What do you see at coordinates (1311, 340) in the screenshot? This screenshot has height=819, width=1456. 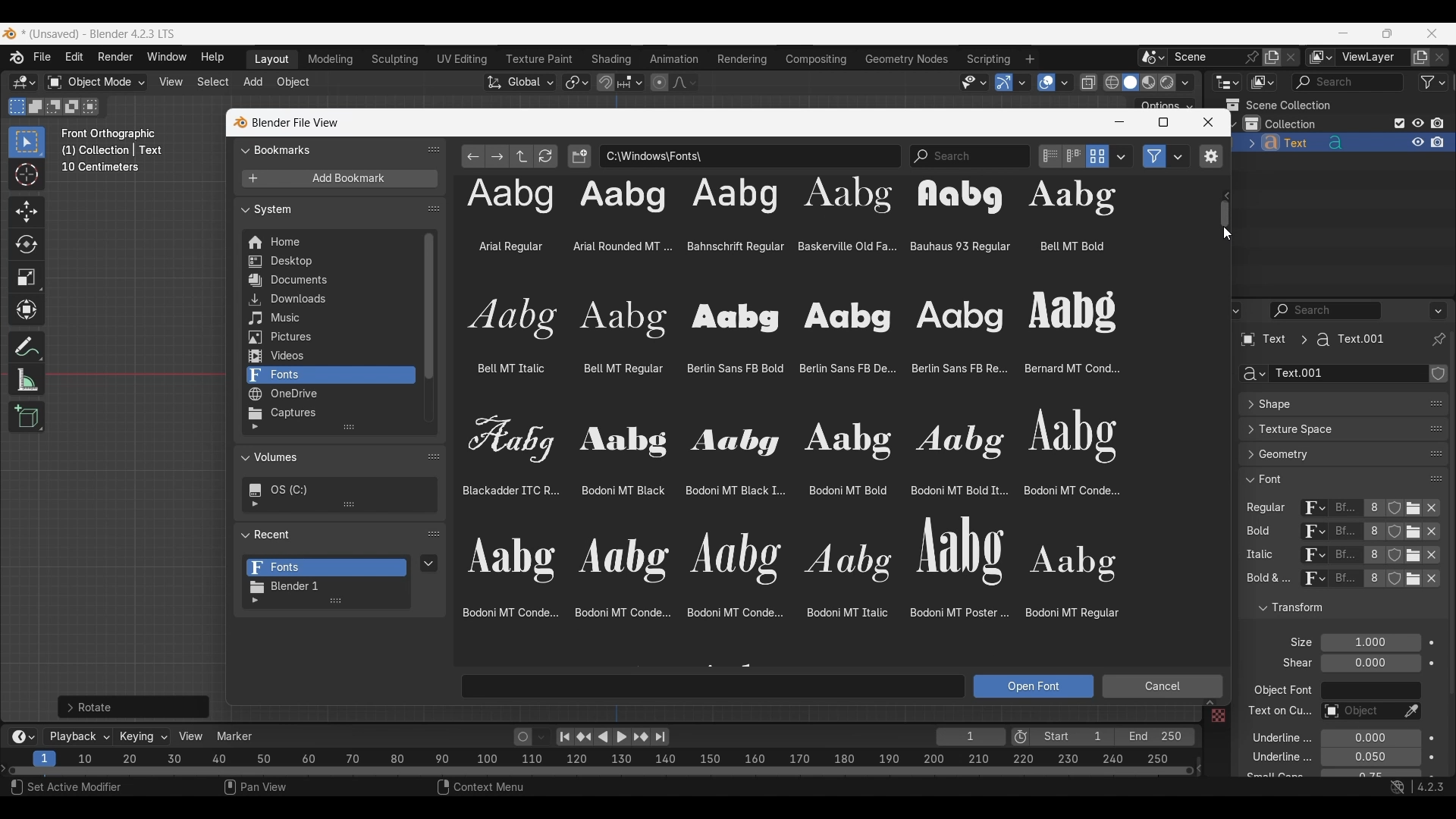 I see `Pathway of current panel changed` at bounding box center [1311, 340].